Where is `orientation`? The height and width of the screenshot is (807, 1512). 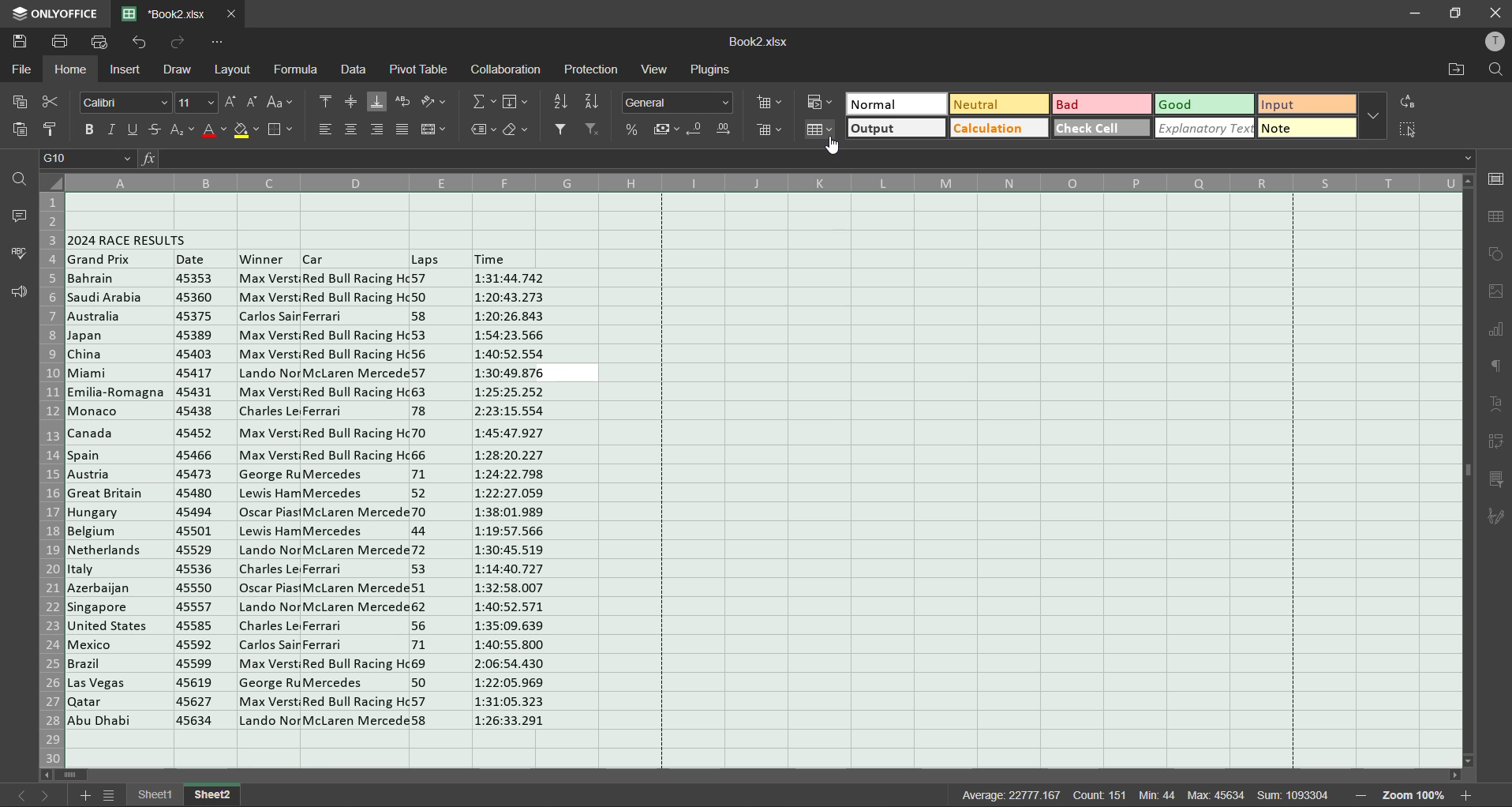 orientation is located at coordinates (433, 102).